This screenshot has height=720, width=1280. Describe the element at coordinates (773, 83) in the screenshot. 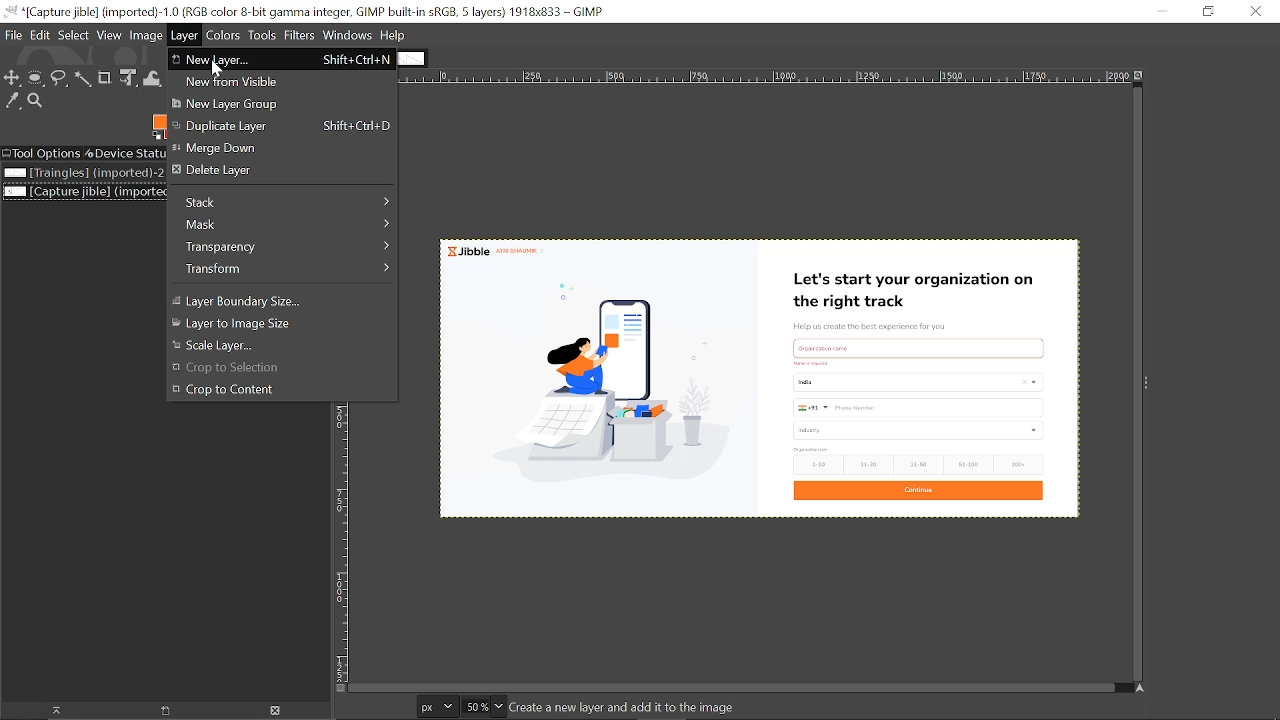

I see `horizontal label` at that location.